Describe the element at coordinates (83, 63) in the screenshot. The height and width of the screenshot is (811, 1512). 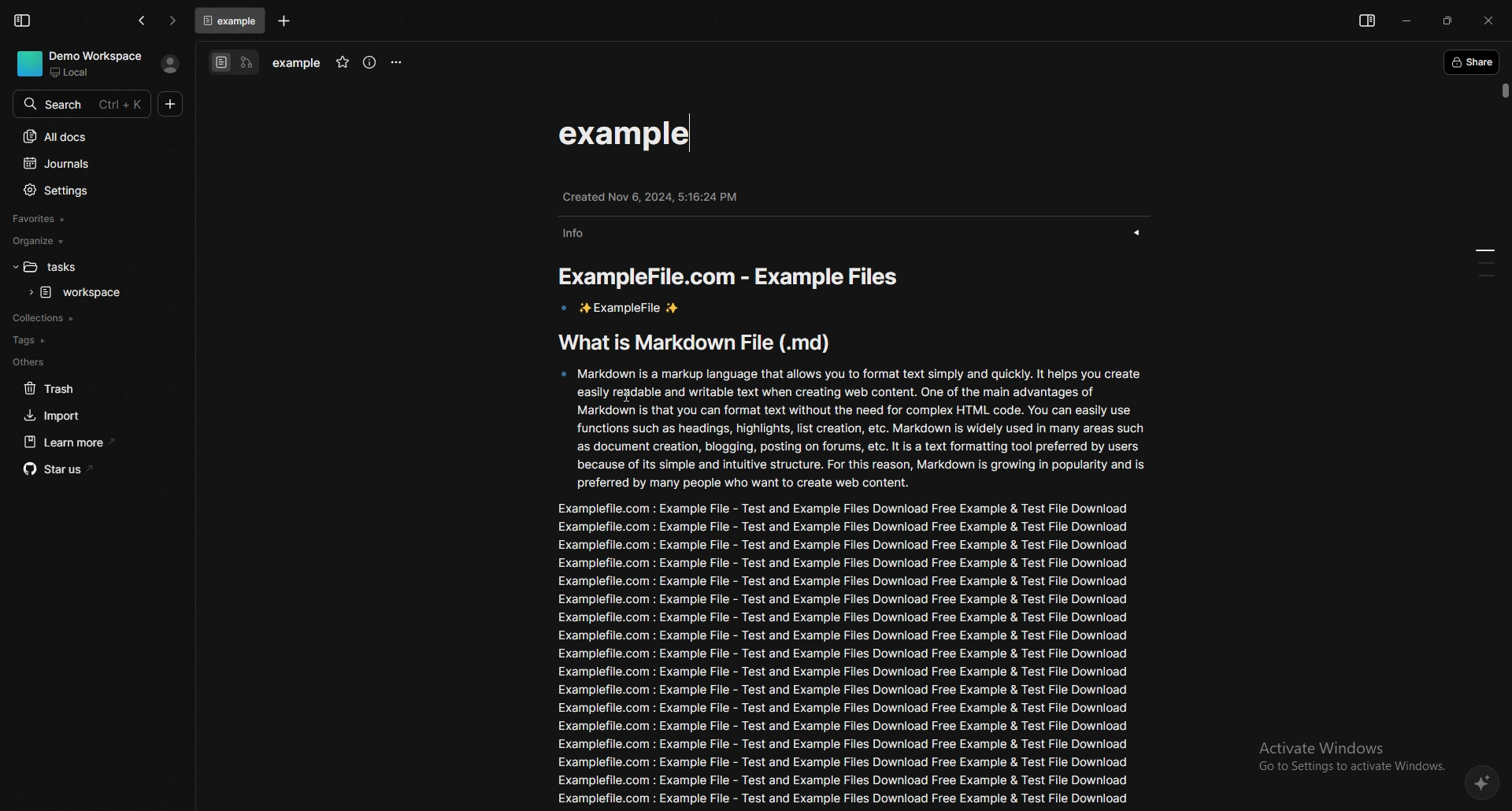
I see `demo workspace` at that location.